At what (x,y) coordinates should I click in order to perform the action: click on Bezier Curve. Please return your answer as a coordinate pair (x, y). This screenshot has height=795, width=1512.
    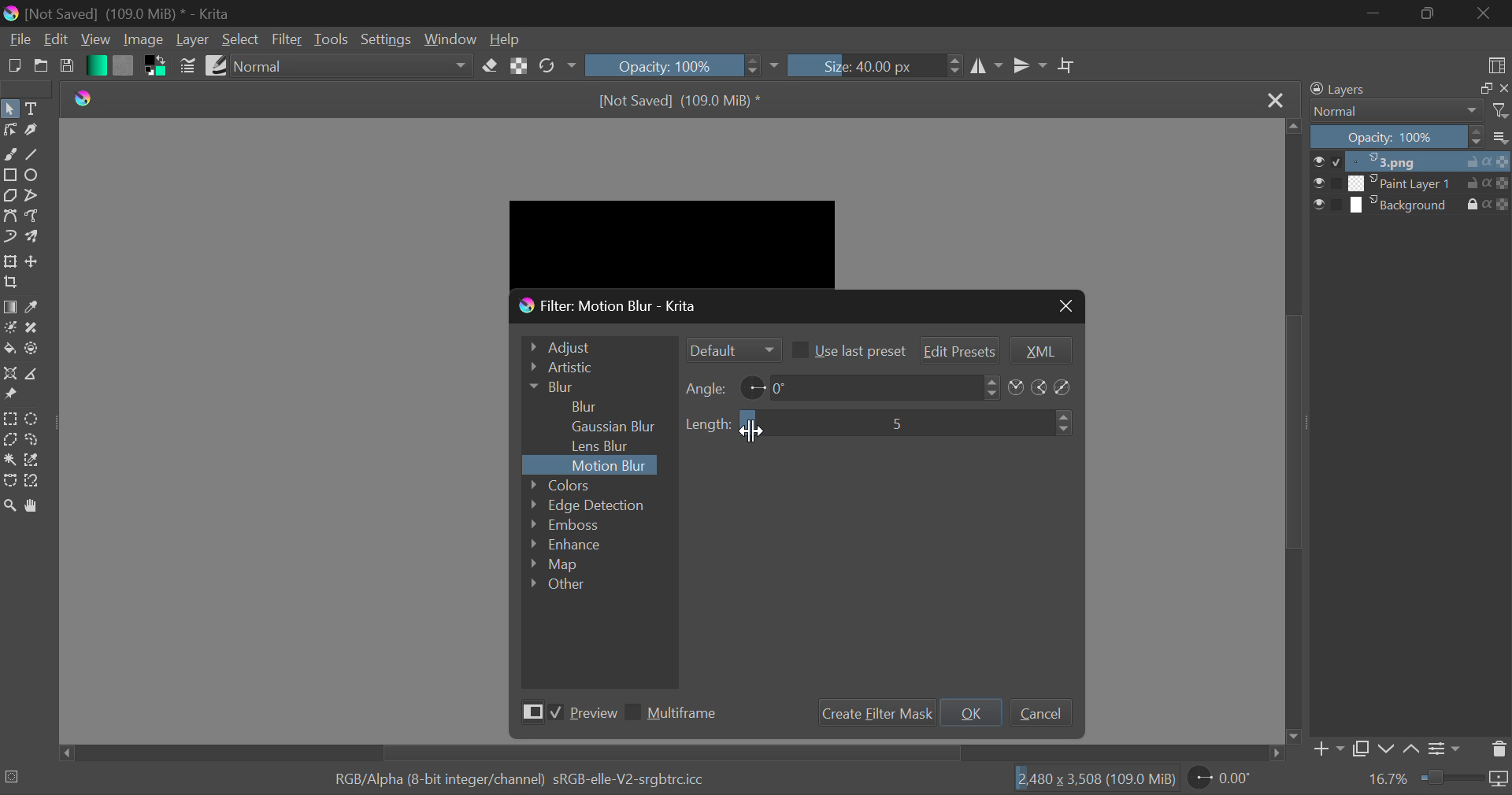
    Looking at the image, I should click on (9, 215).